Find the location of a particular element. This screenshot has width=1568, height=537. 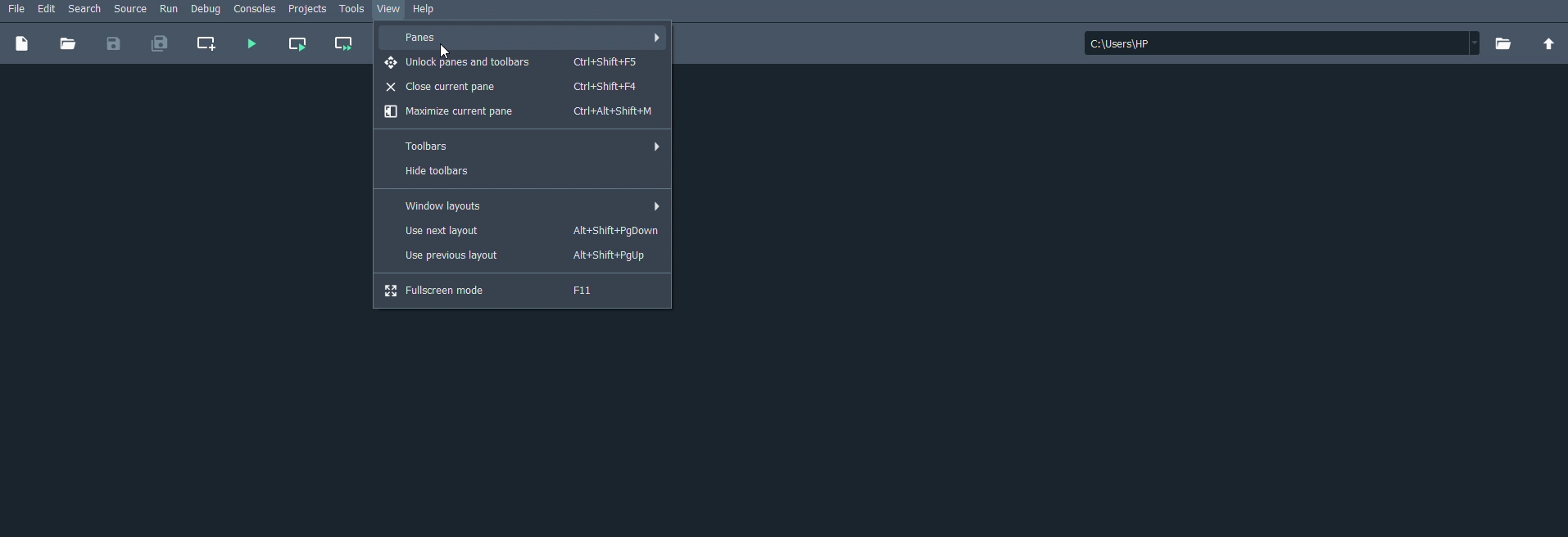

Projects is located at coordinates (309, 10).